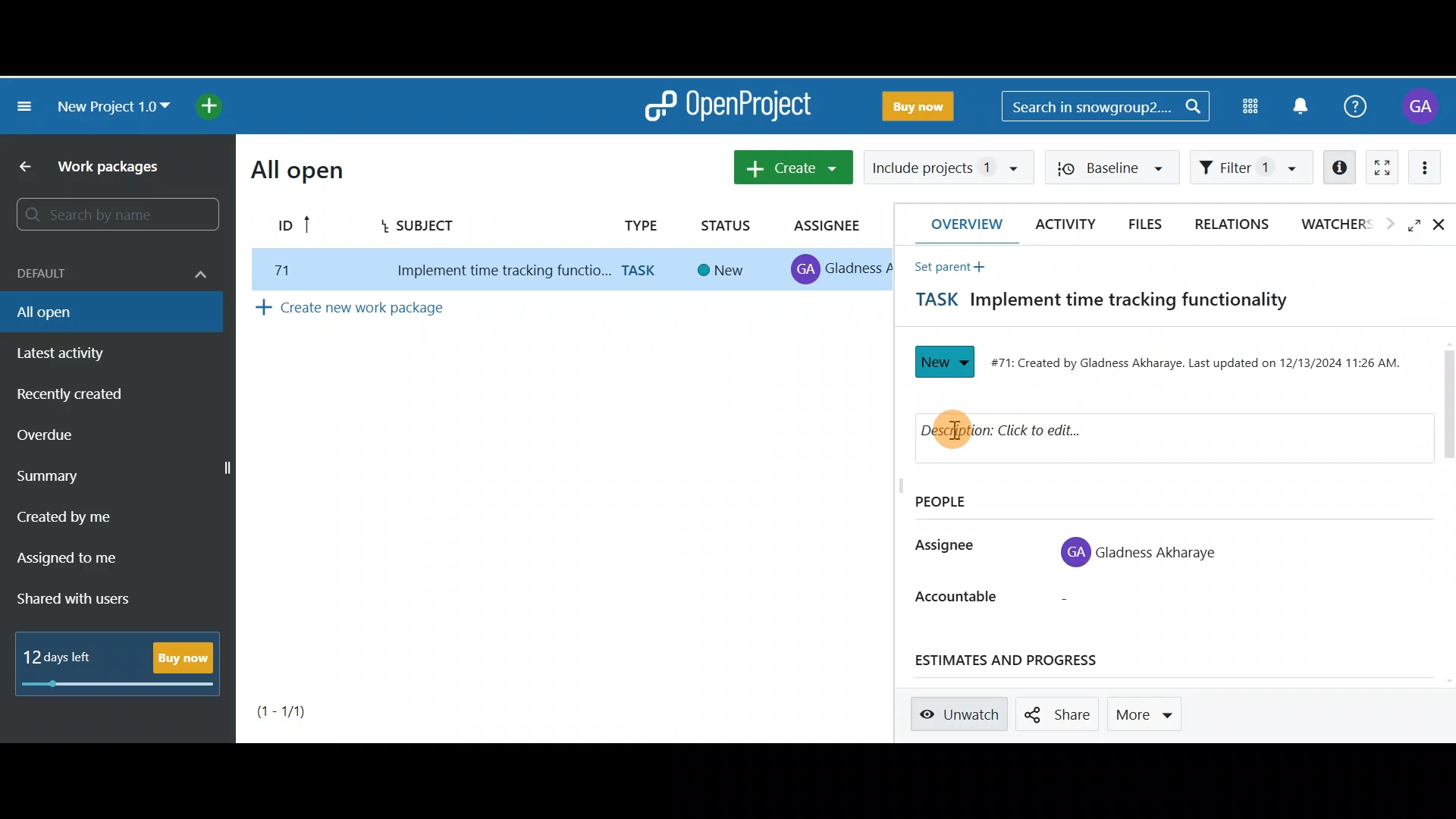  What do you see at coordinates (943, 548) in the screenshot?
I see `Assignee` at bounding box center [943, 548].